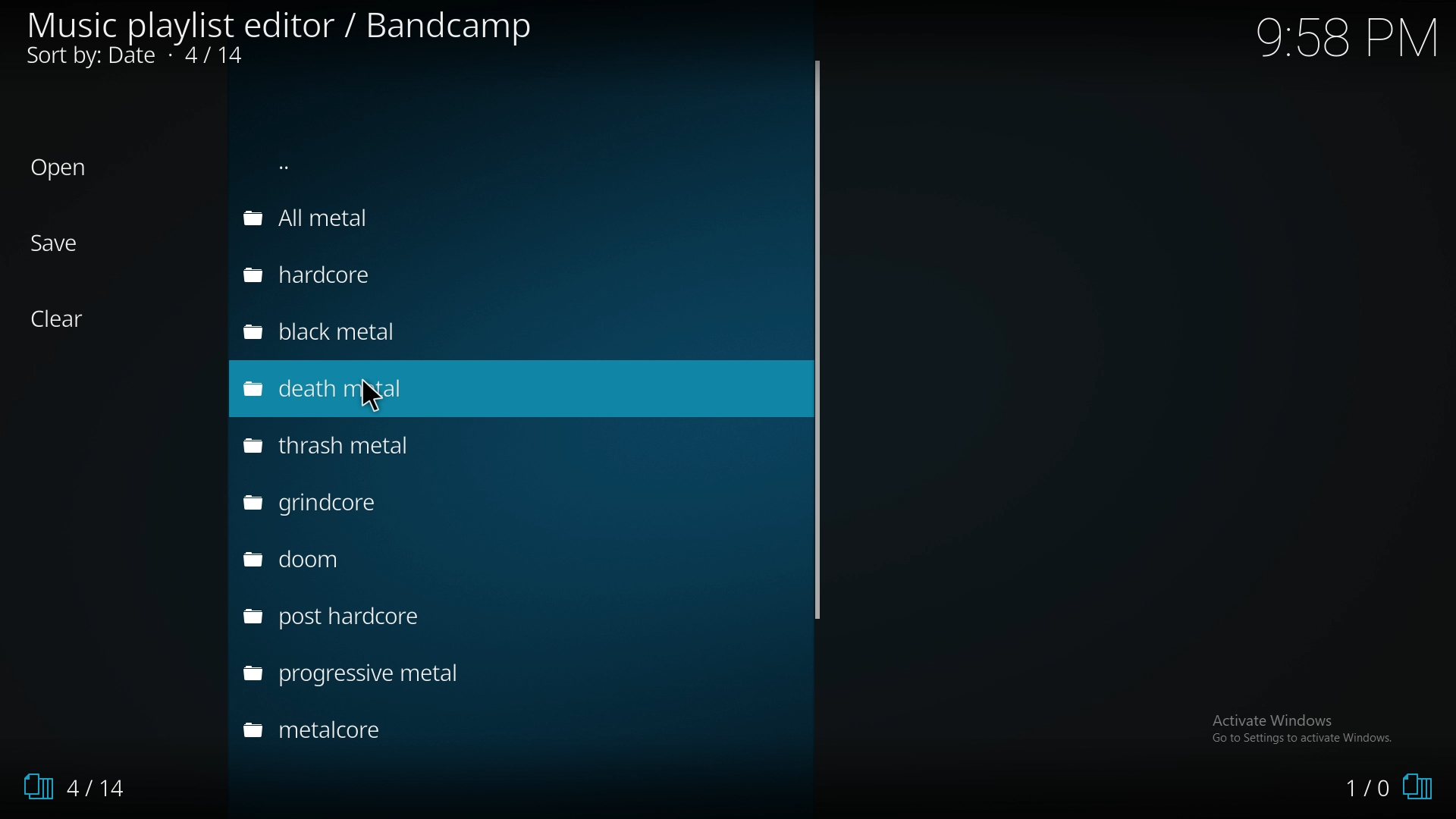  Describe the element at coordinates (59, 168) in the screenshot. I see `Open` at that location.